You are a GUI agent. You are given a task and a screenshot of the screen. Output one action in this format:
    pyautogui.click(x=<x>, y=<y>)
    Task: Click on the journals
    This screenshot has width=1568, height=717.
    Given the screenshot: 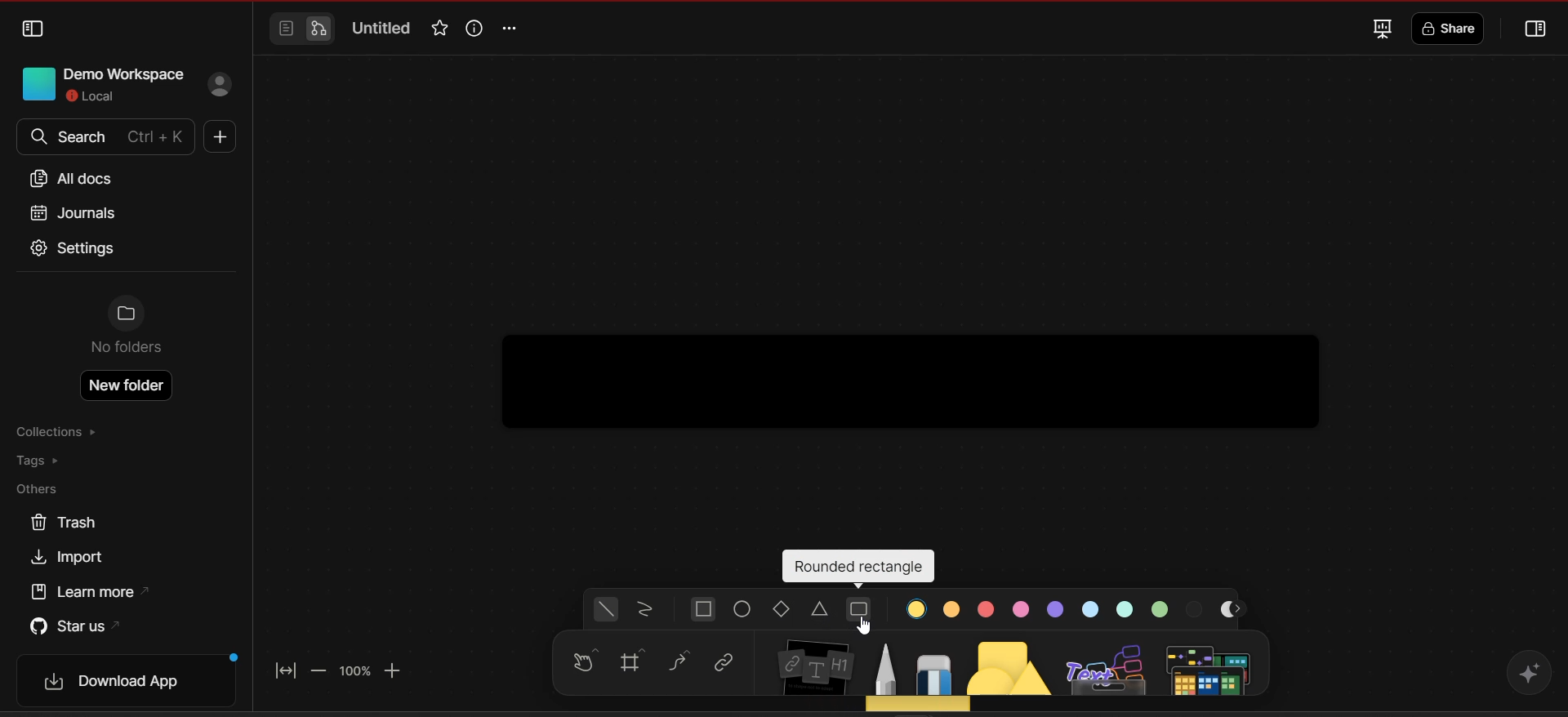 What is the action you would take?
    pyautogui.click(x=72, y=212)
    